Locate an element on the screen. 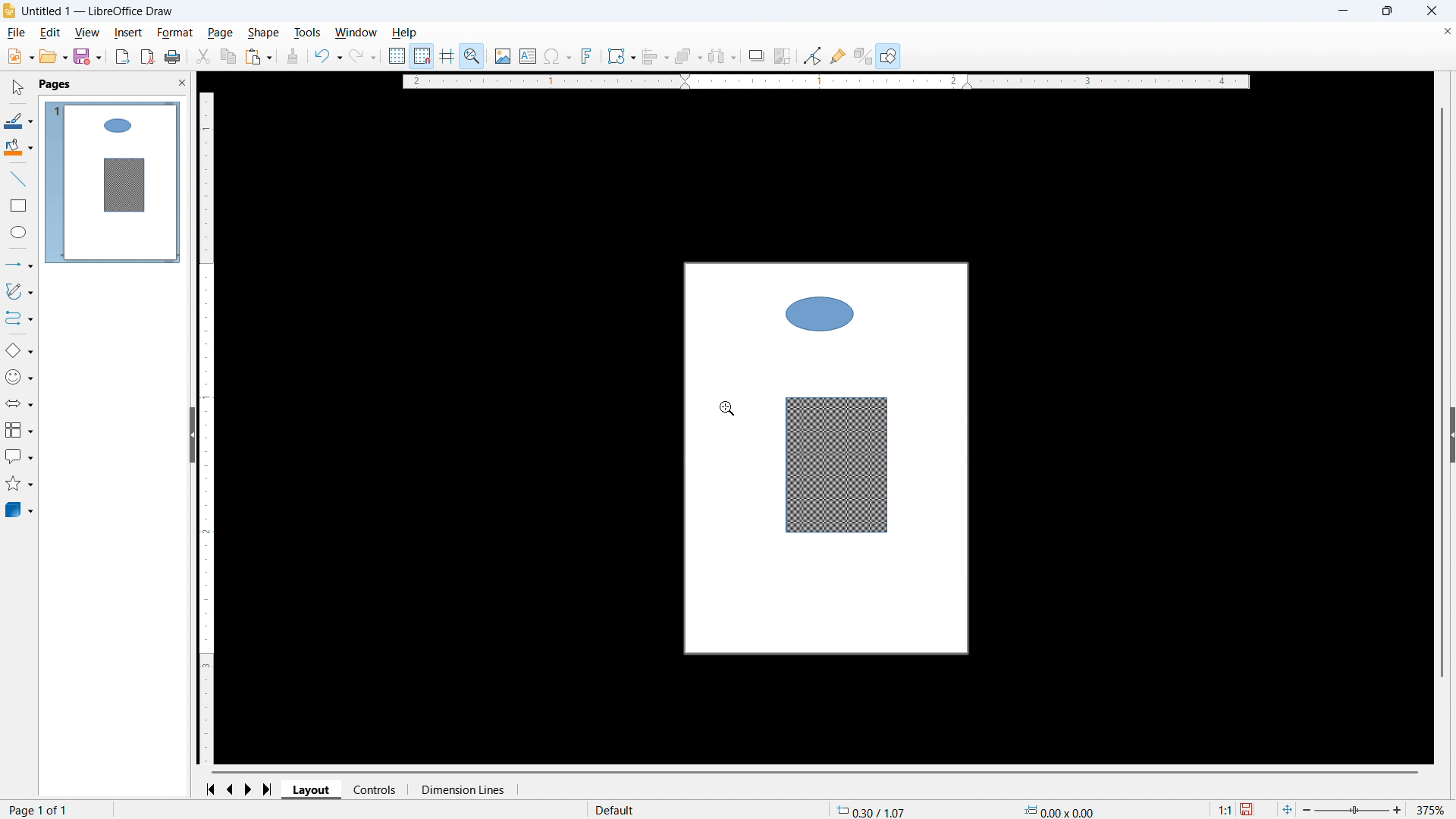 The width and height of the screenshot is (1456, 819). Format  is located at coordinates (176, 33).